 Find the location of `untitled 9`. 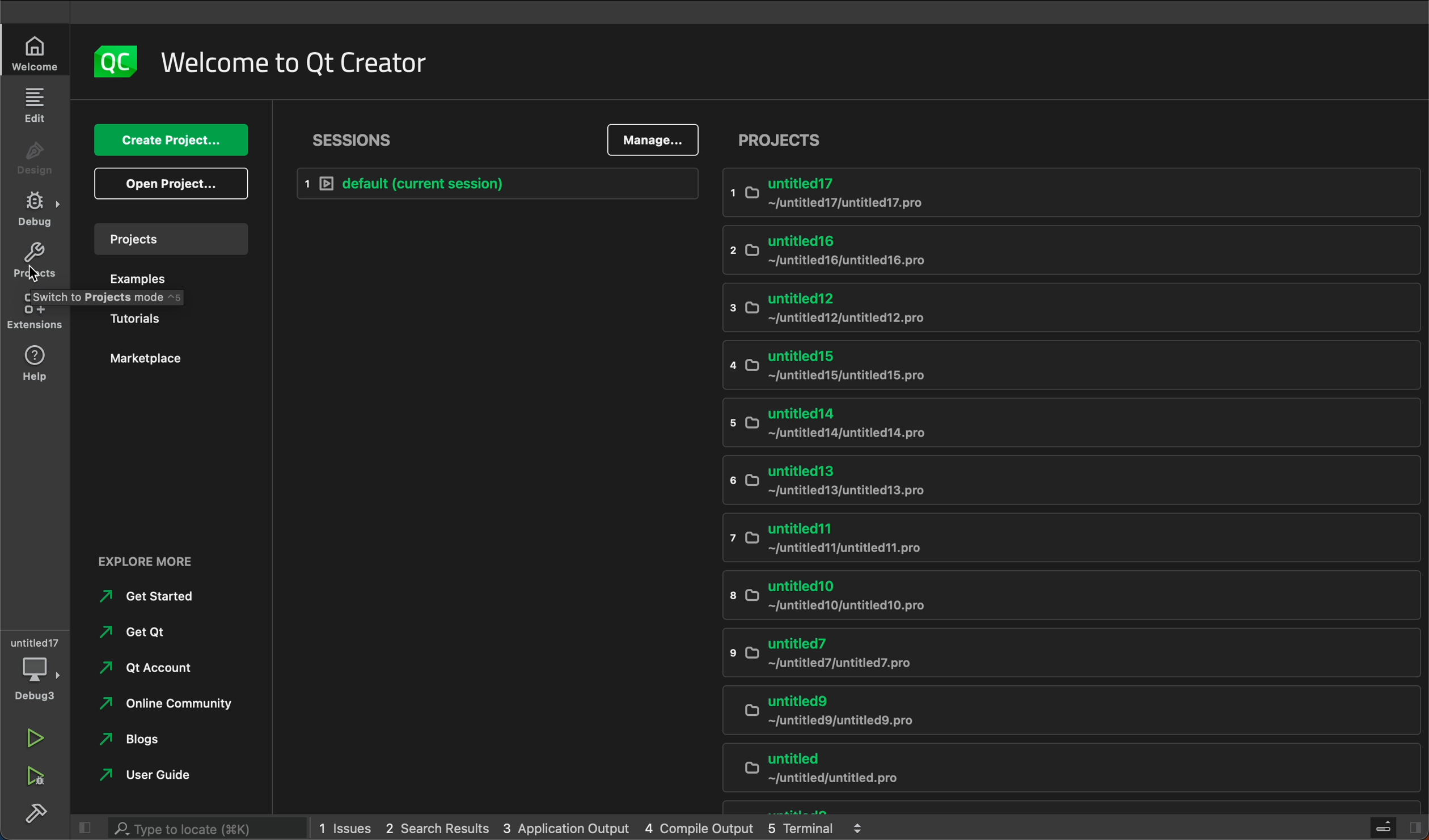

untitled 9 is located at coordinates (1062, 708).